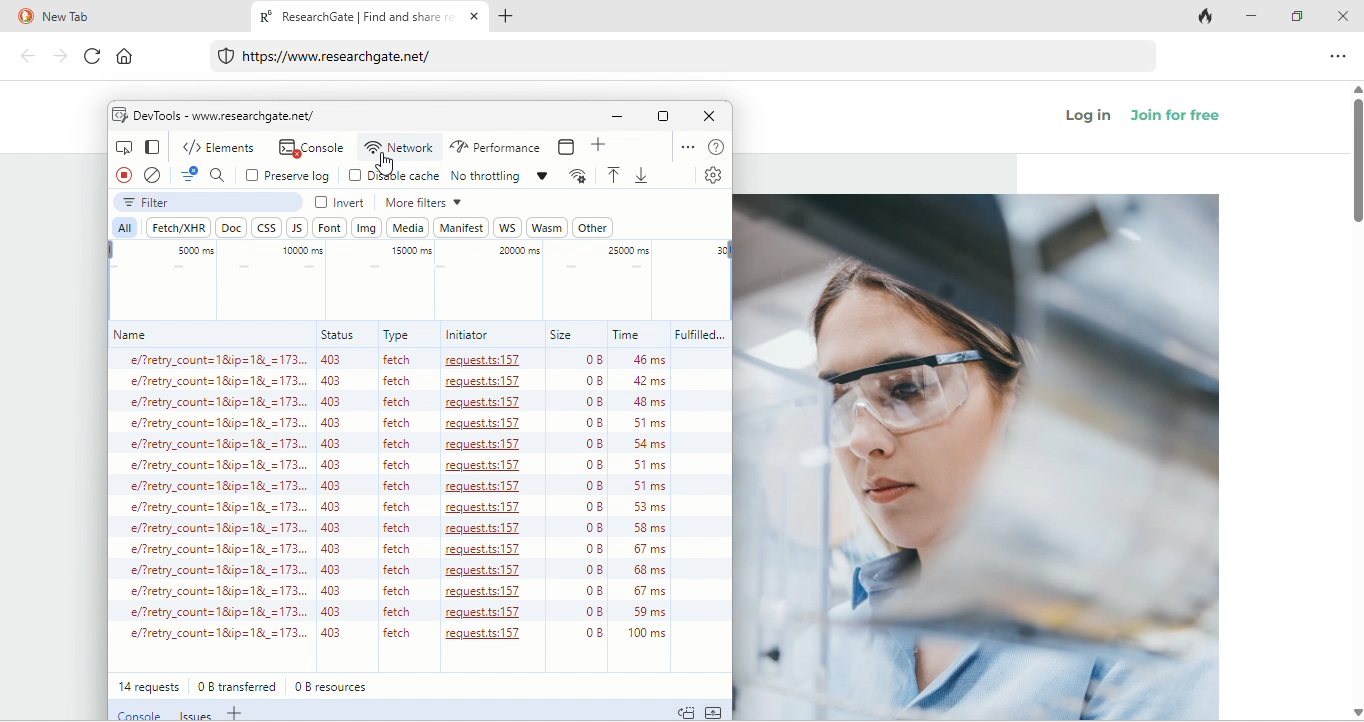  What do you see at coordinates (237, 714) in the screenshot?
I see `add` at bounding box center [237, 714].